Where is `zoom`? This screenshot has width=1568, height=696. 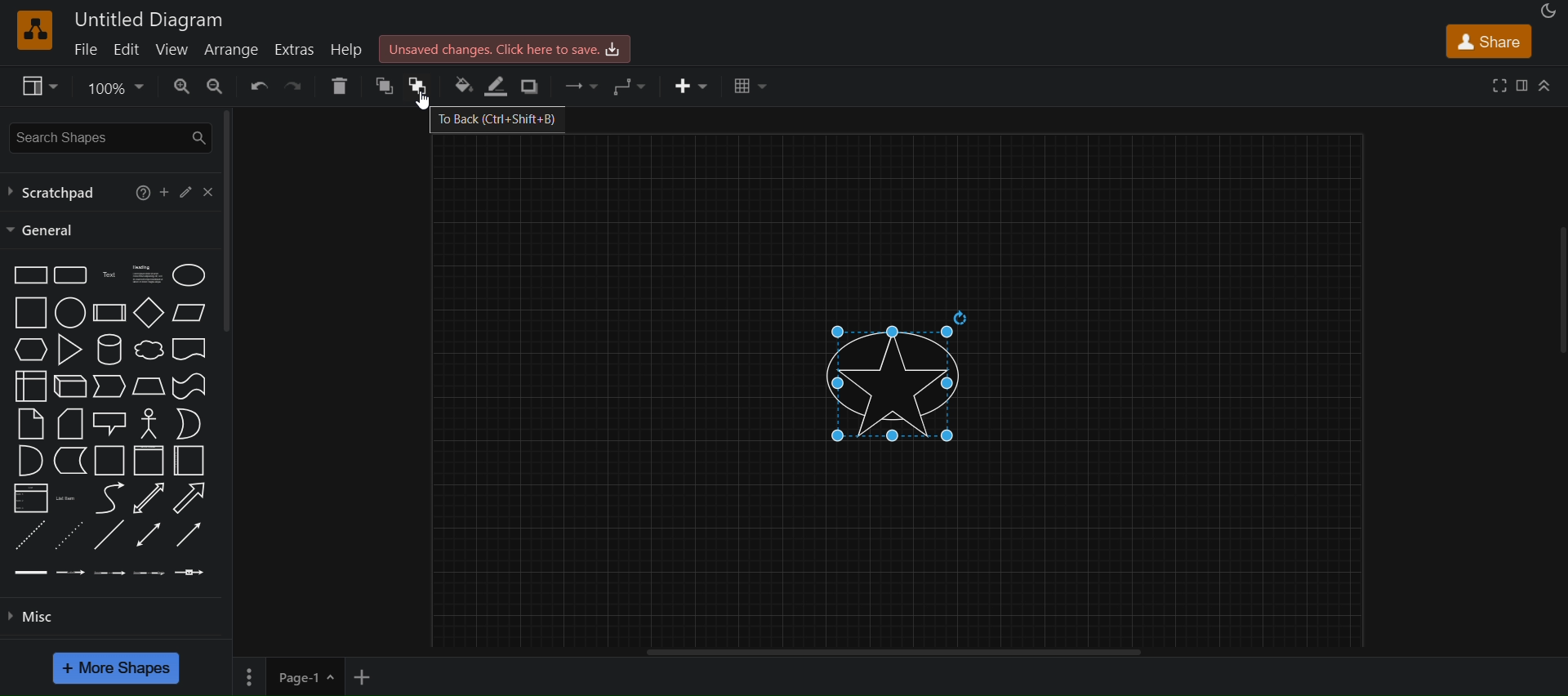
zoom is located at coordinates (116, 87).